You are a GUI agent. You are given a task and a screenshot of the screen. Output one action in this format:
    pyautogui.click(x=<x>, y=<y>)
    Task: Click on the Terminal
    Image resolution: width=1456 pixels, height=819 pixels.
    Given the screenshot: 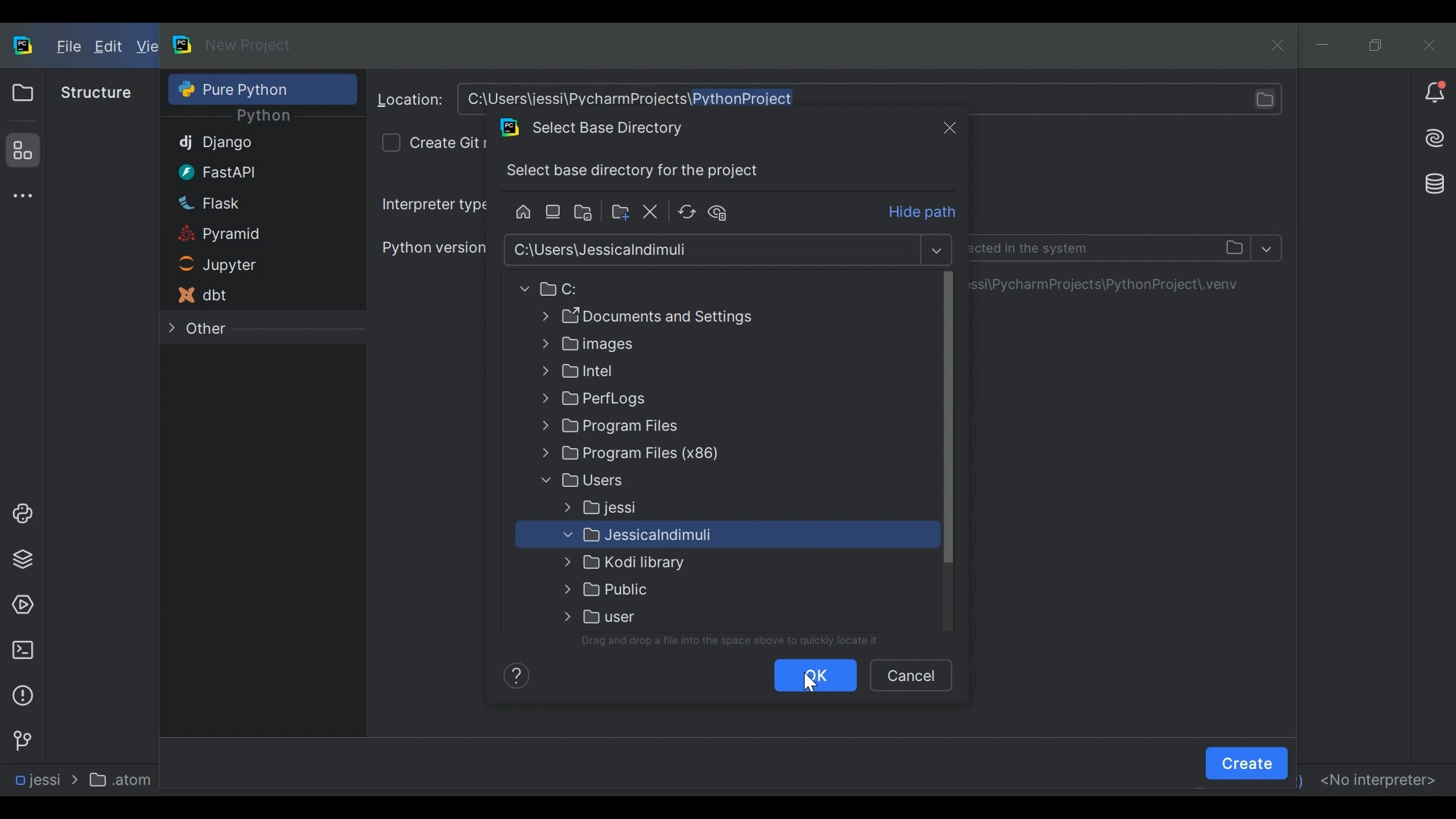 What is the action you would take?
    pyautogui.click(x=22, y=650)
    